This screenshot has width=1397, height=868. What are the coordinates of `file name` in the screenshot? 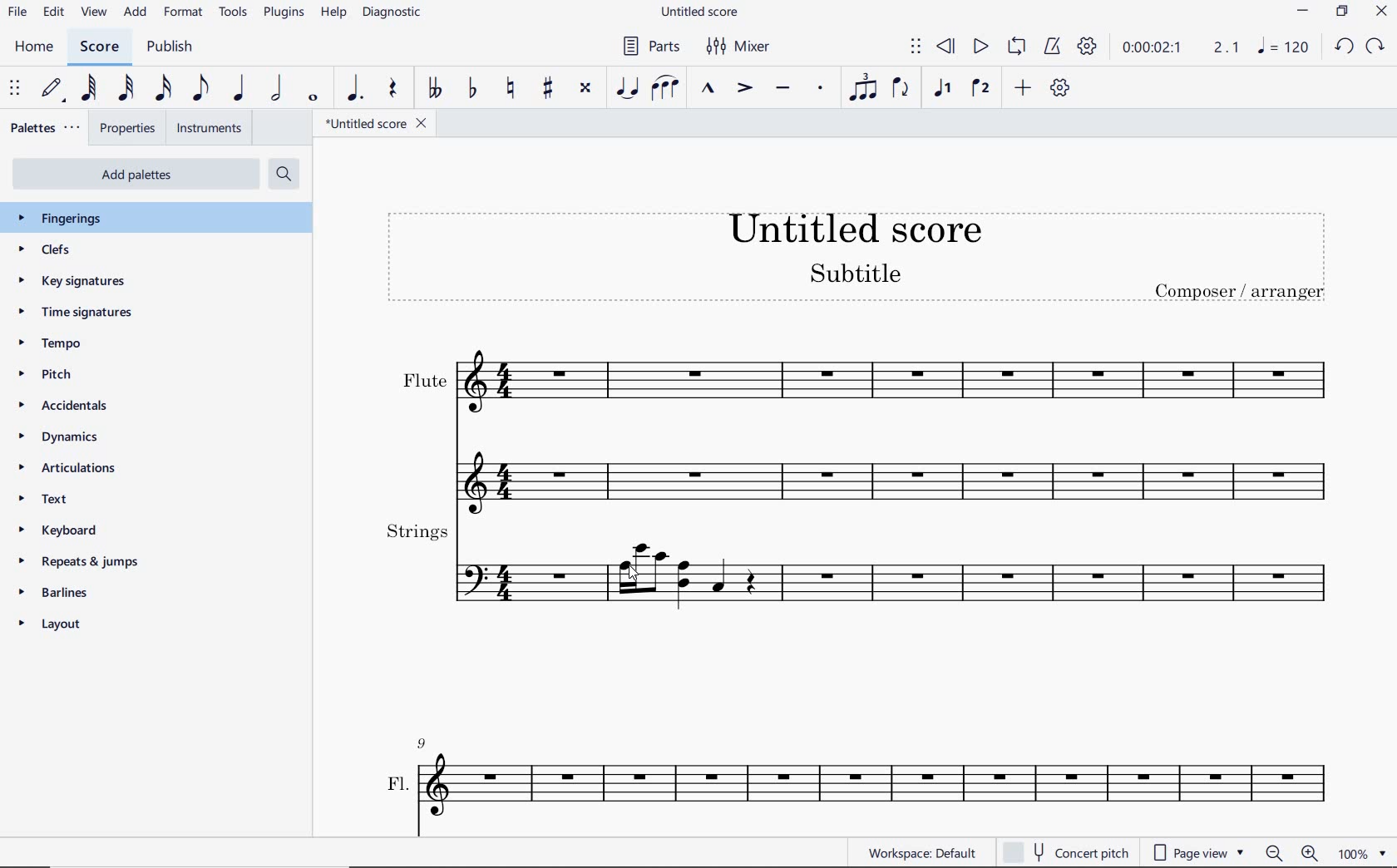 It's located at (699, 13).